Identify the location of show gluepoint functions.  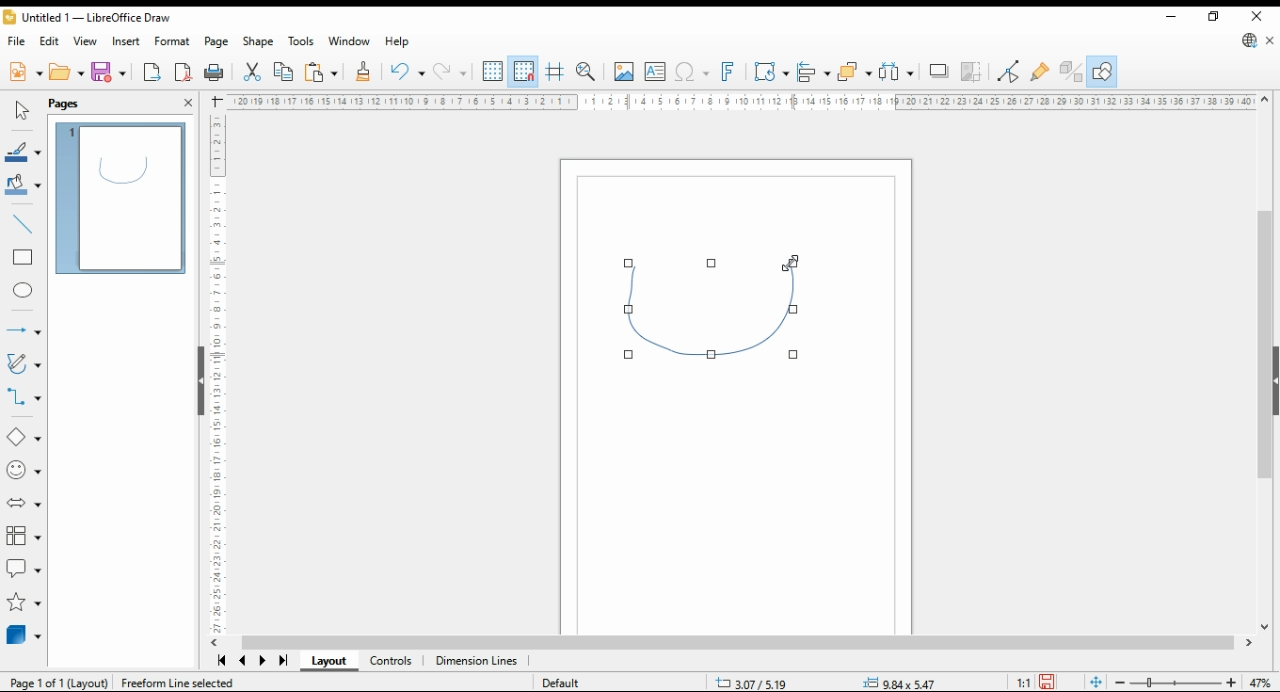
(1041, 72).